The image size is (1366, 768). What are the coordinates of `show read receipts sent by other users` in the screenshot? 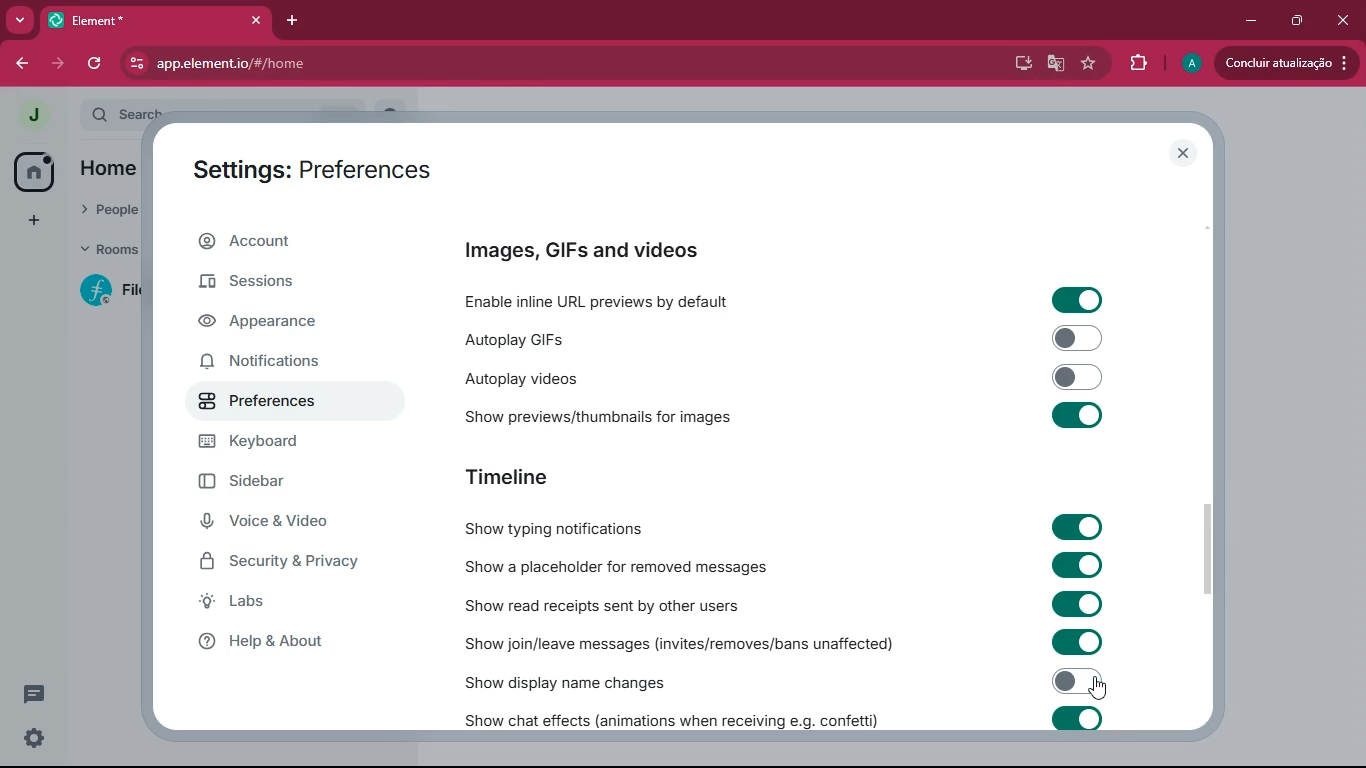 It's located at (623, 605).